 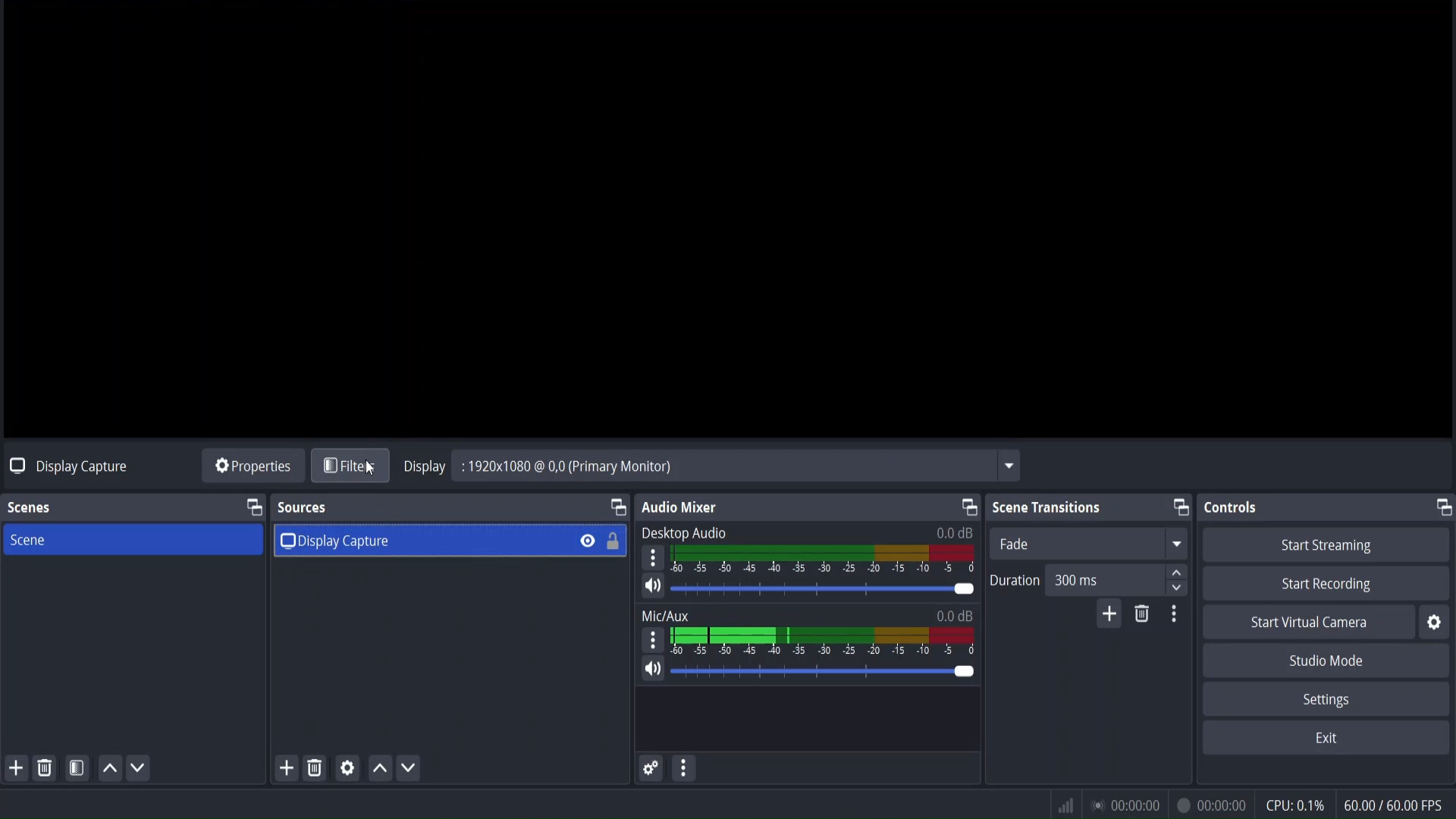 What do you see at coordinates (17, 769) in the screenshot?
I see `add scene` at bounding box center [17, 769].